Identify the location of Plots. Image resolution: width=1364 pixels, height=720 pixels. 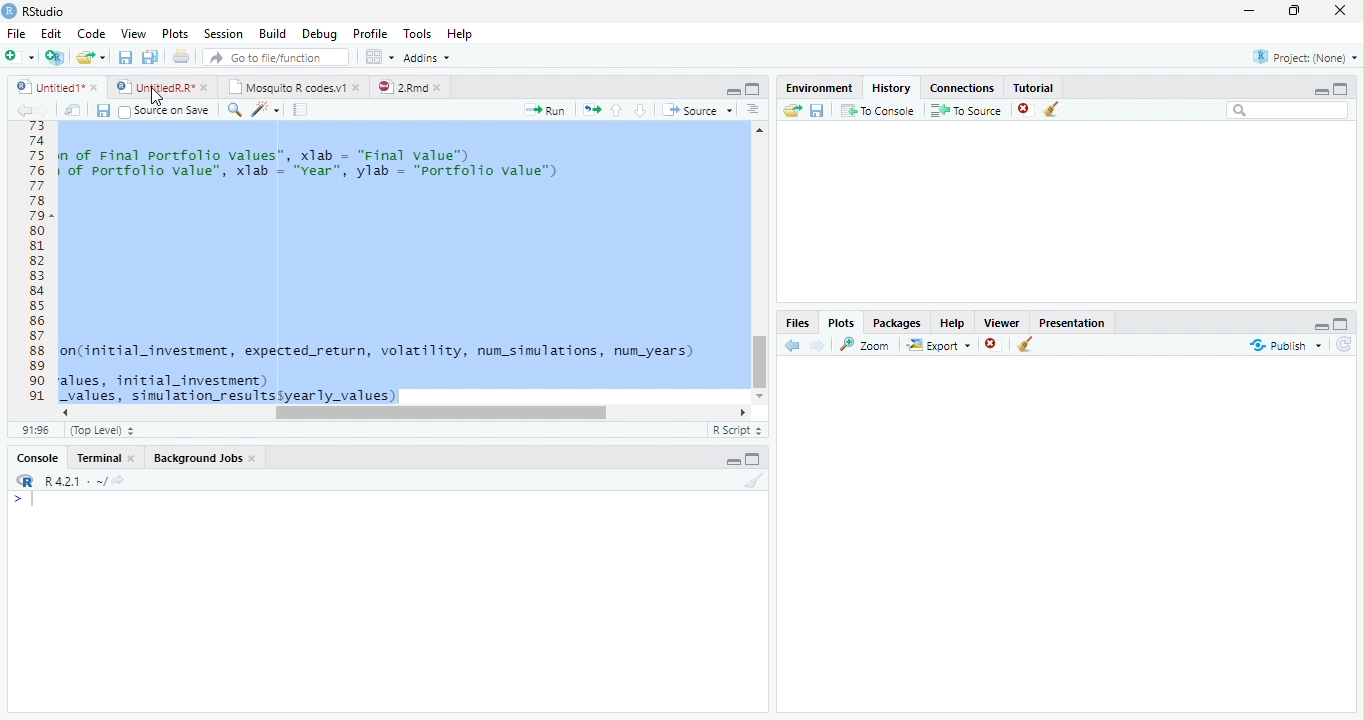
(841, 322).